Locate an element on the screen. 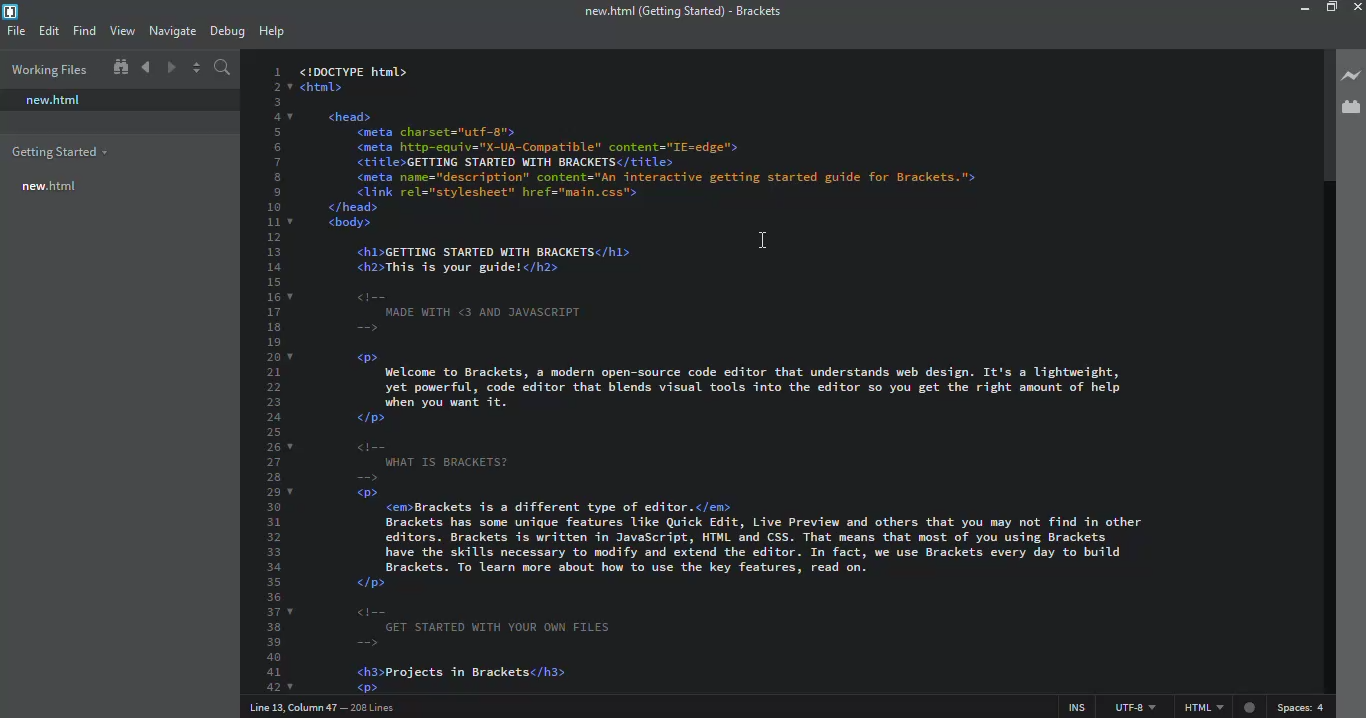 The height and width of the screenshot is (718, 1366). debug is located at coordinates (223, 29).